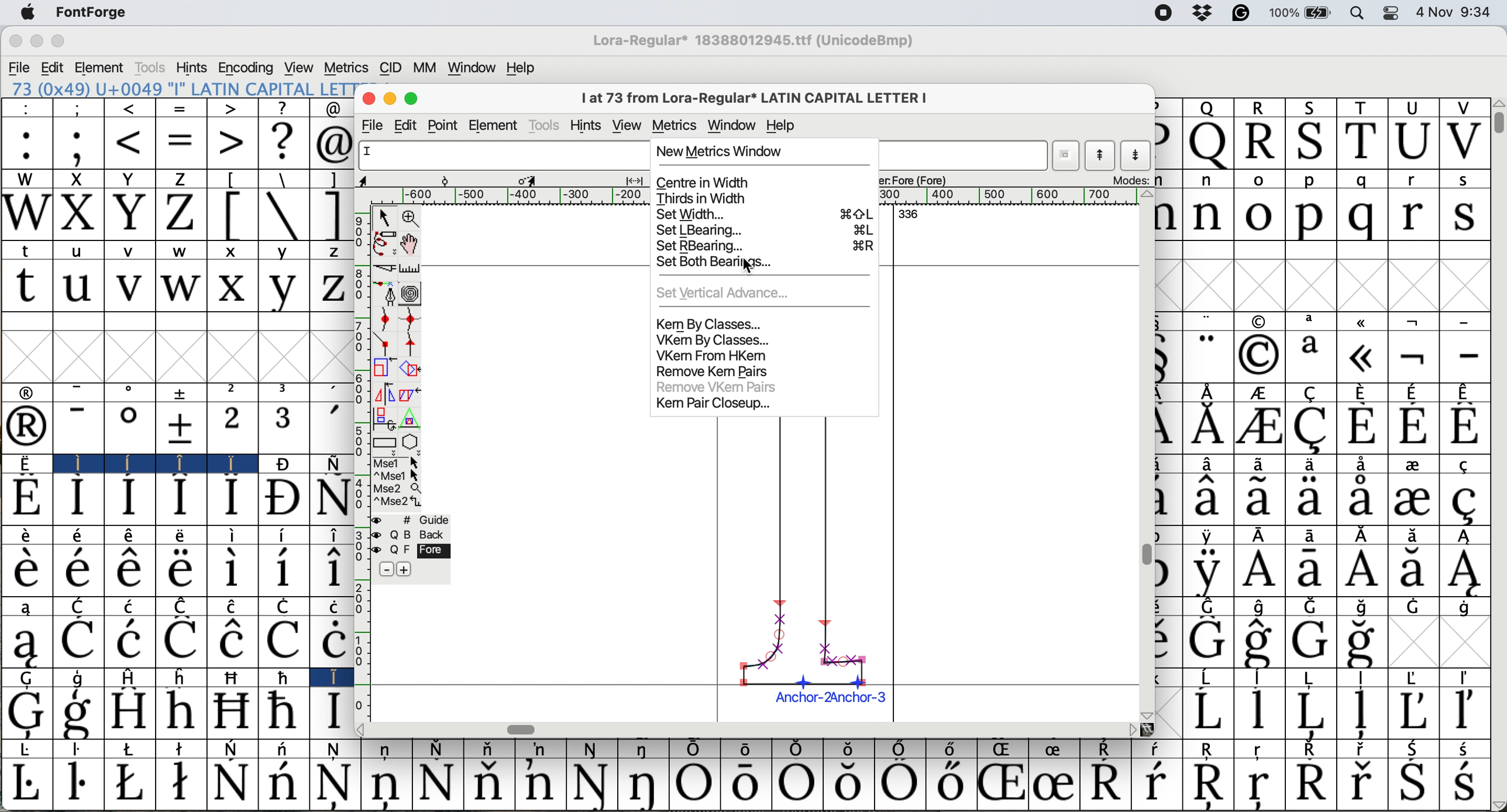 The image size is (1507, 812). What do you see at coordinates (282, 108) in the screenshot?
I see `?` at bounding box center [282, 108].